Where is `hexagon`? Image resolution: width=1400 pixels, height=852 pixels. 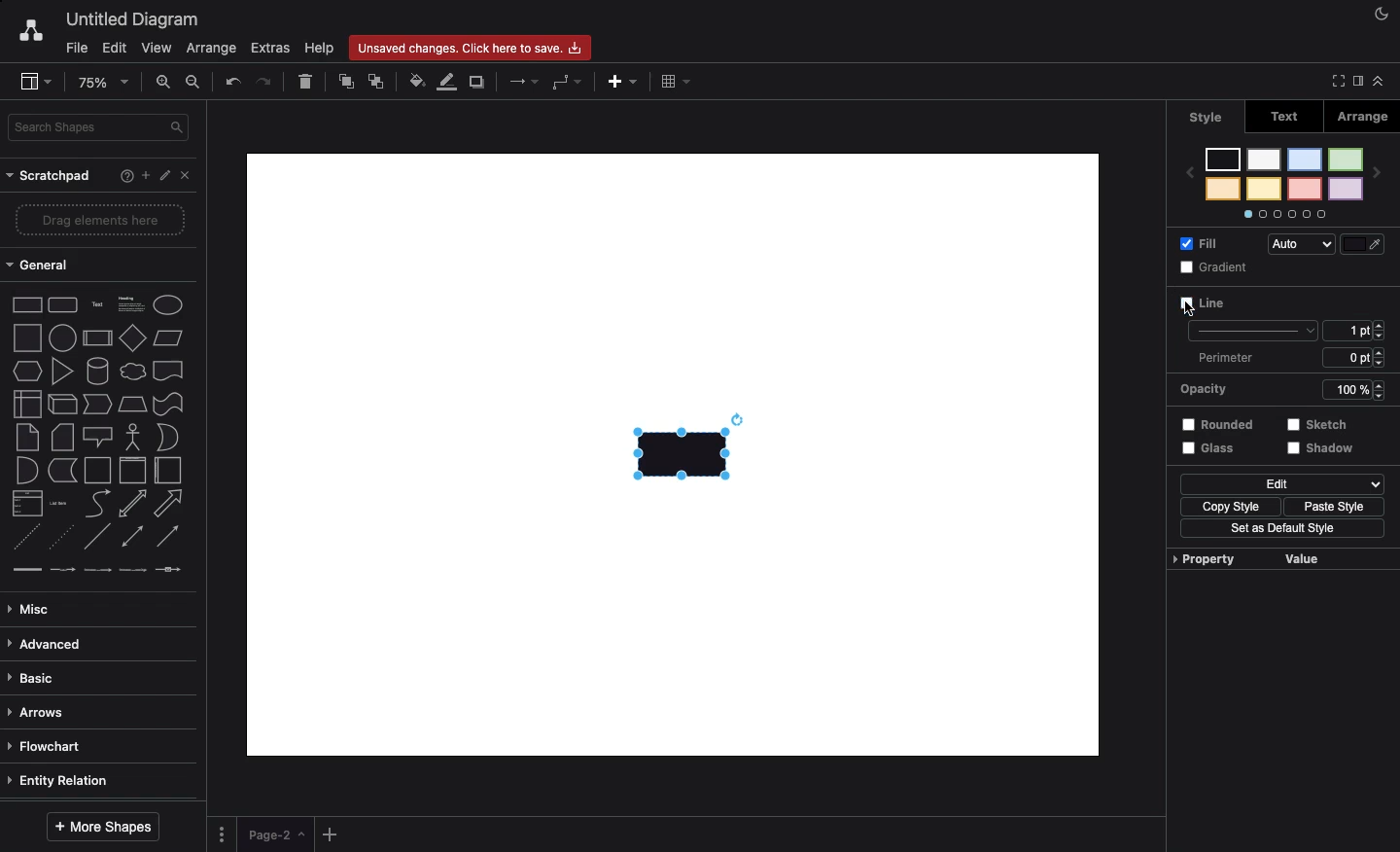
hexagon is located at coordinates (24, 371).